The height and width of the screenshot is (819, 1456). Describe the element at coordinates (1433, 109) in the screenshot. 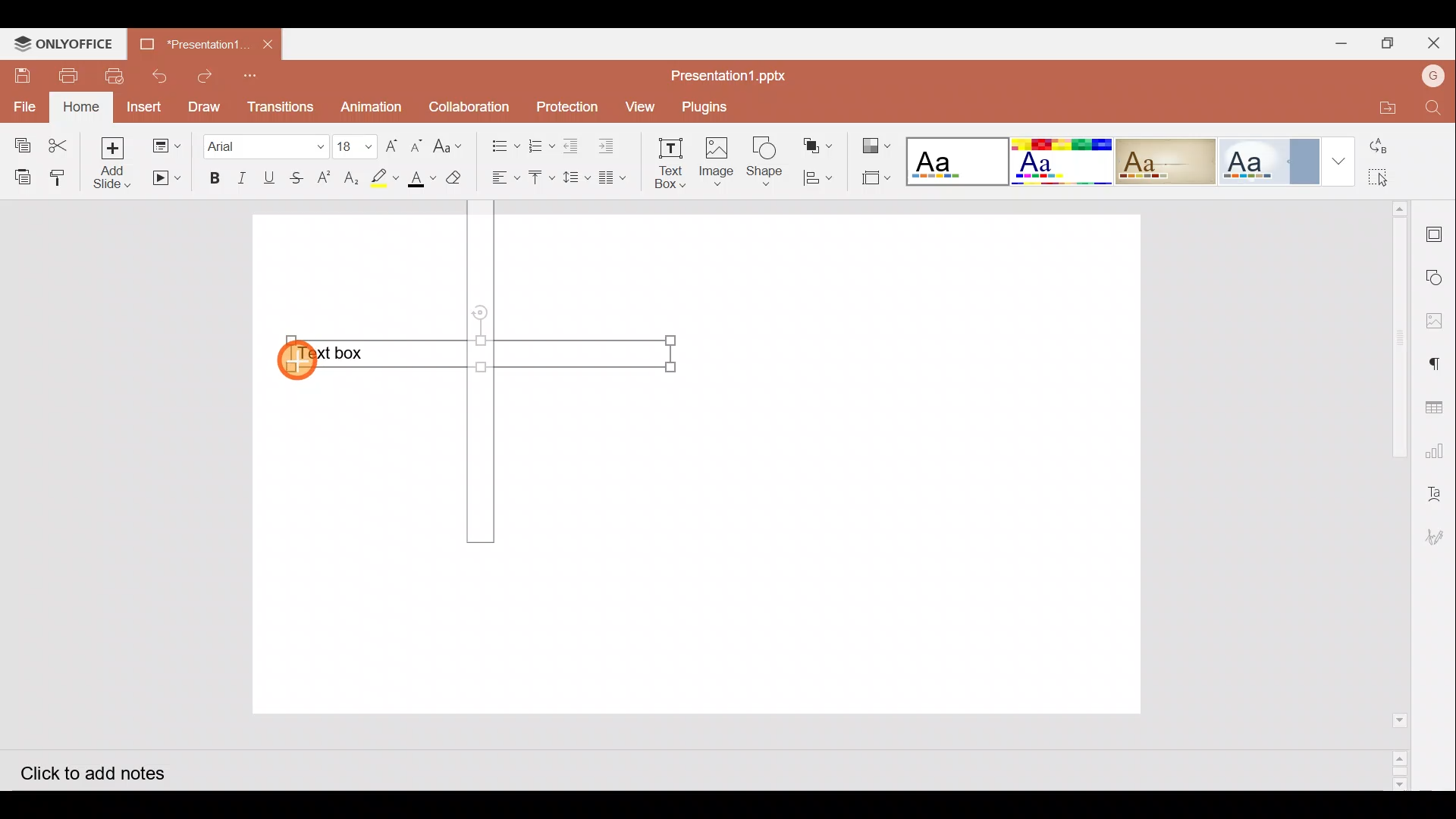

I see `Find` at that location.